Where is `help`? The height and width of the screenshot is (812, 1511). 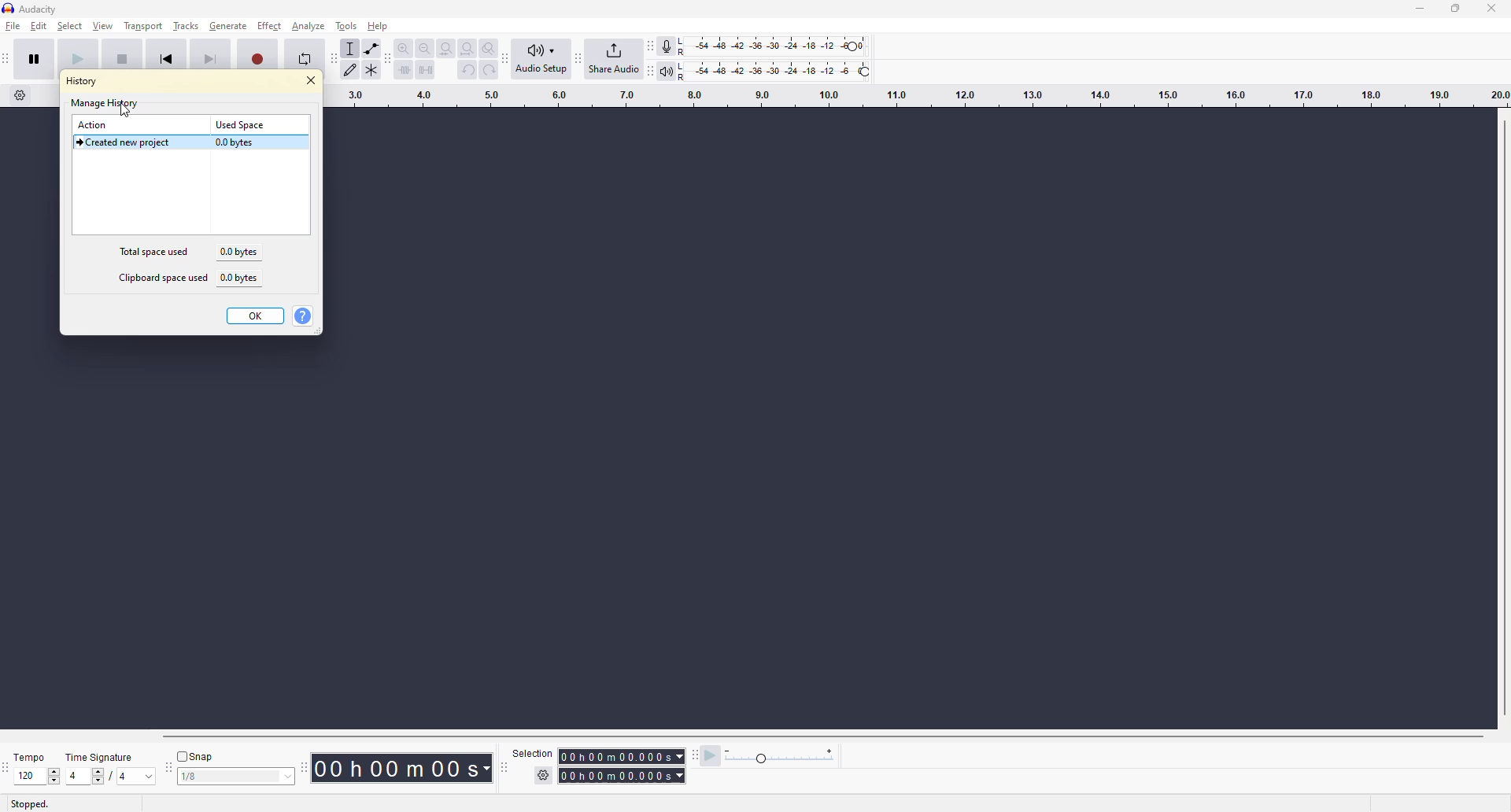 help is located at coordinates (379, 24).